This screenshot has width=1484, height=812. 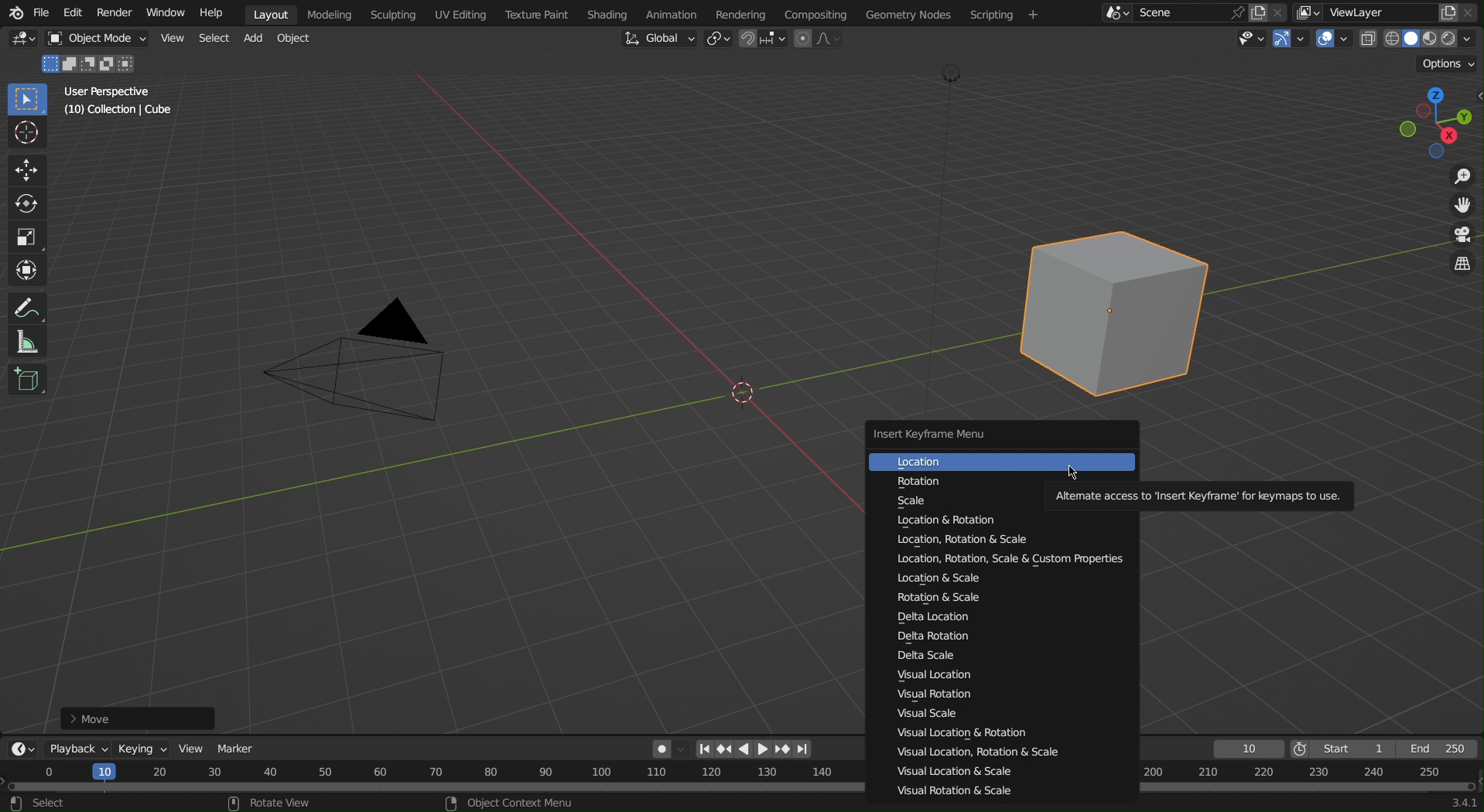 What do you see at coordinates (1441, 749) in the screenshot?
I see `End` at bounding box center [1441, 749].